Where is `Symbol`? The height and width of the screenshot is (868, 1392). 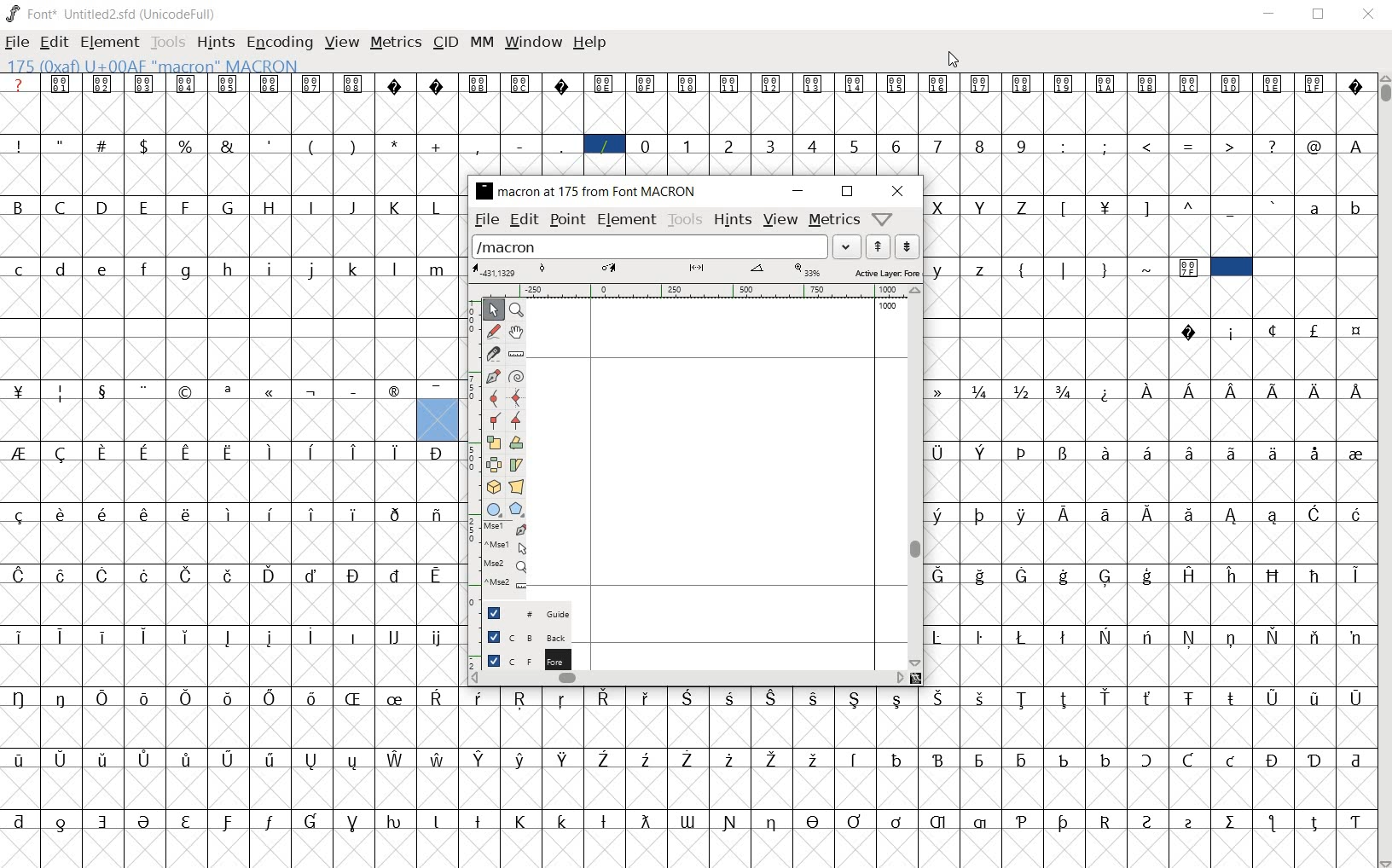
Symbol is located at coordinates (687, 819).